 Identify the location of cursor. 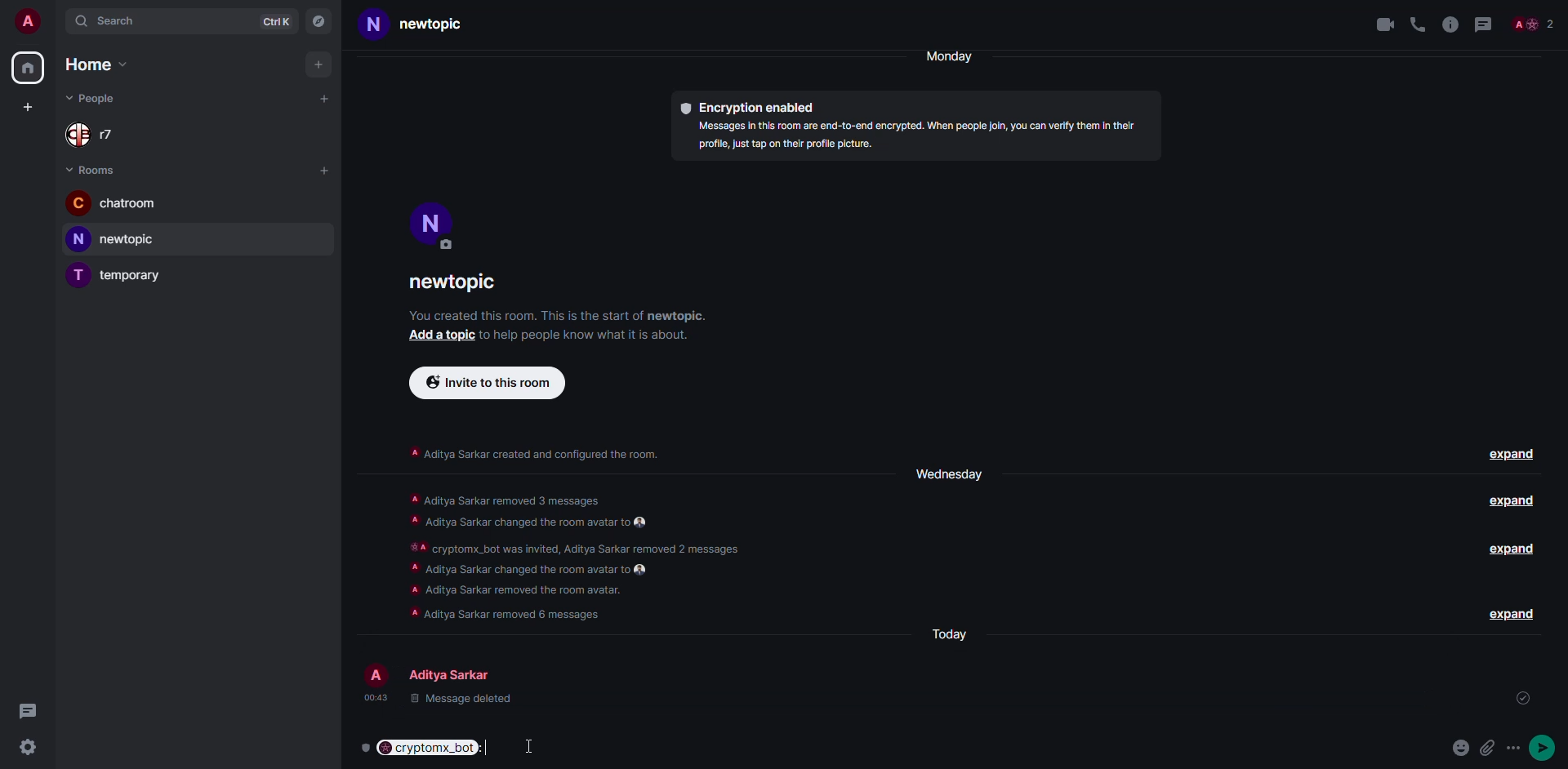
(531, 745).